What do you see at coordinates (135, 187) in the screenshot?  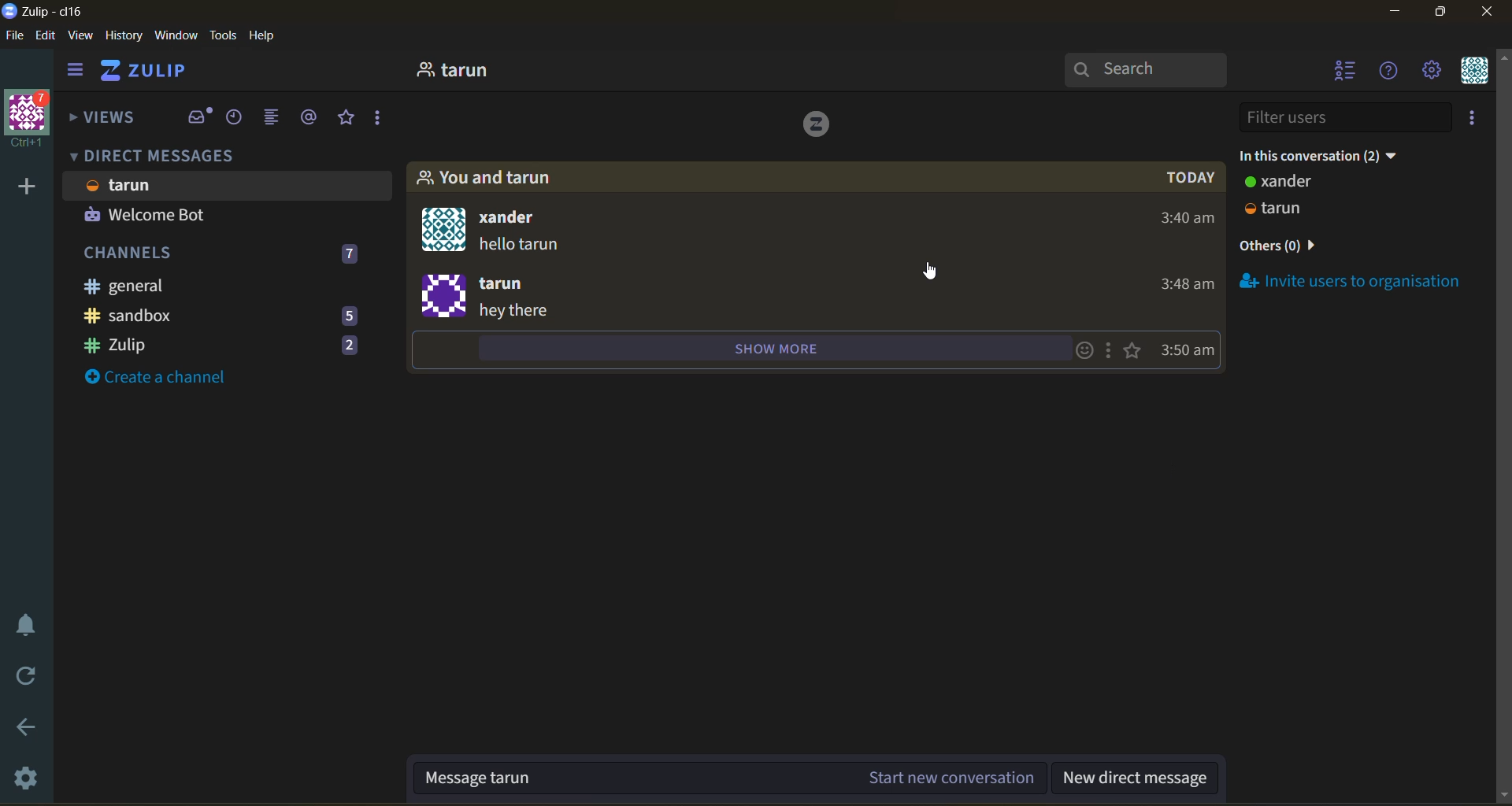 I see `user name` at bounding box center [135, 187].